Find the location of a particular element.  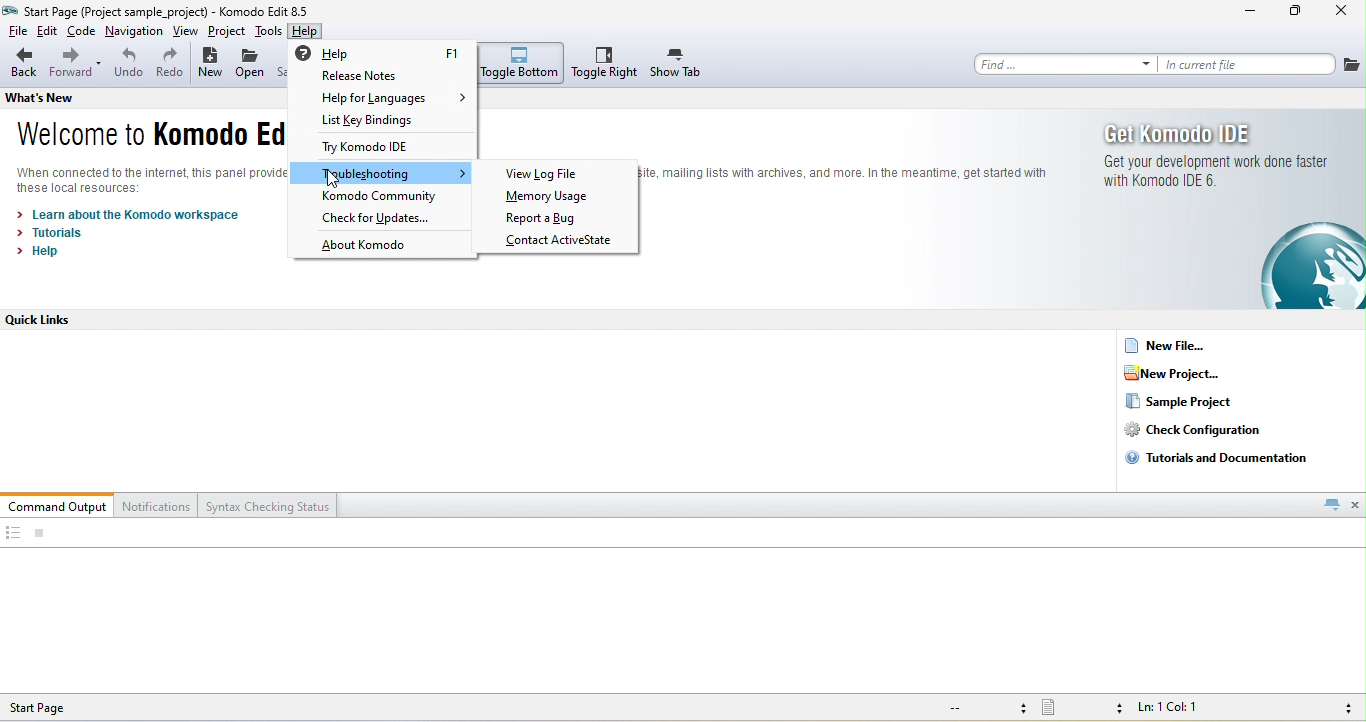

help is located at coordinates (385, 53).